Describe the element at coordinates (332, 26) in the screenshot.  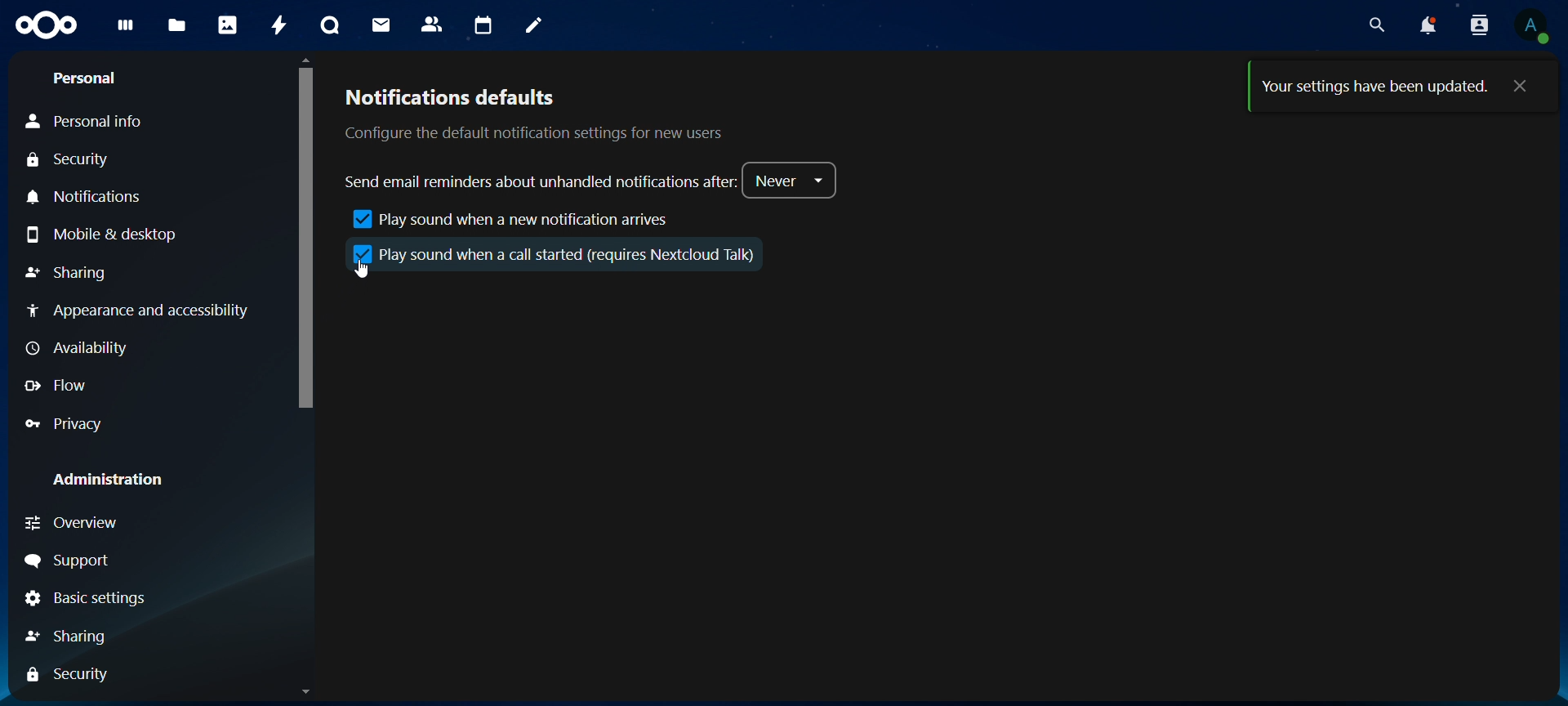
I see `talk` at that location.